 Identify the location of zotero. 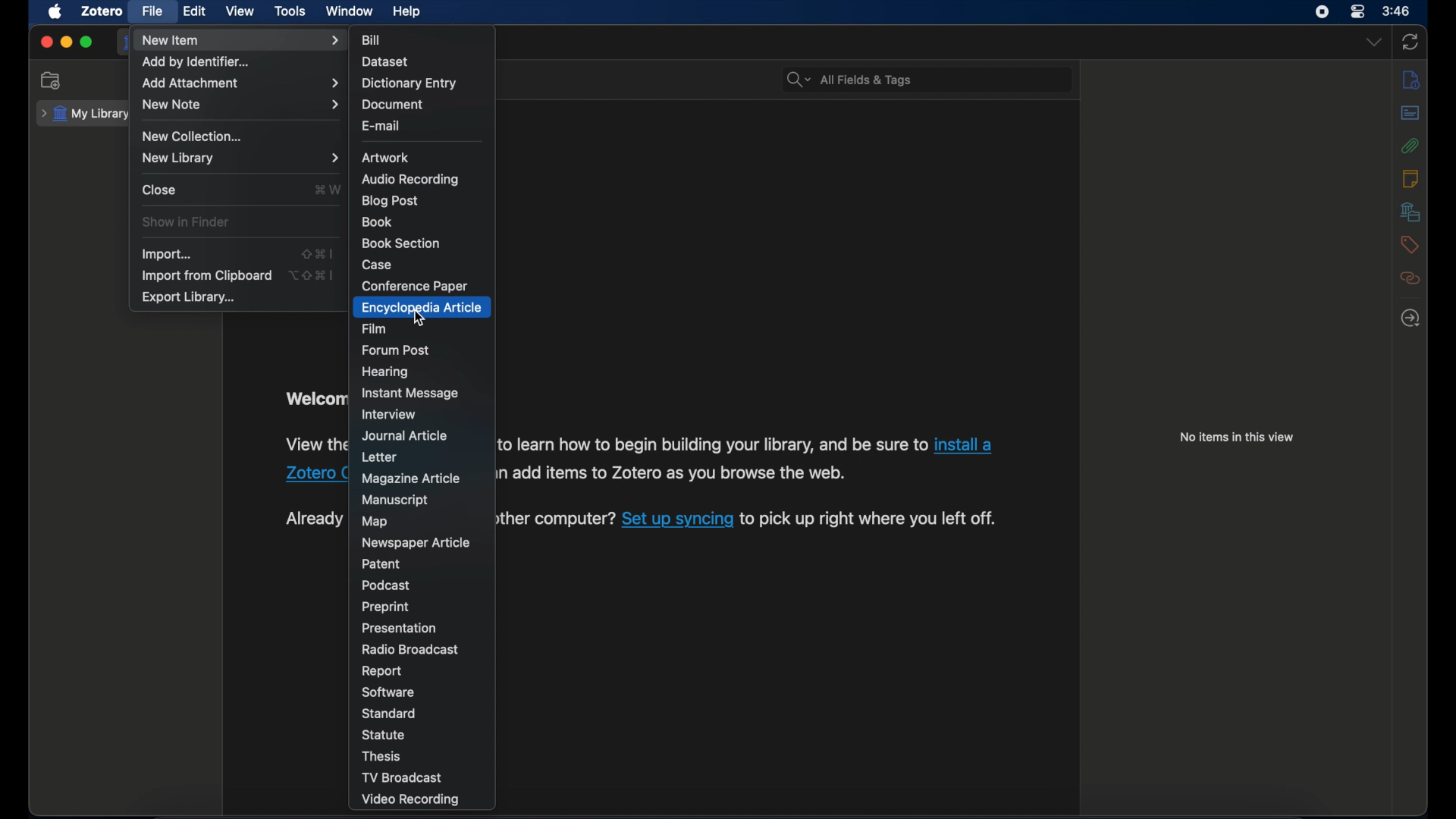
(104, 10).